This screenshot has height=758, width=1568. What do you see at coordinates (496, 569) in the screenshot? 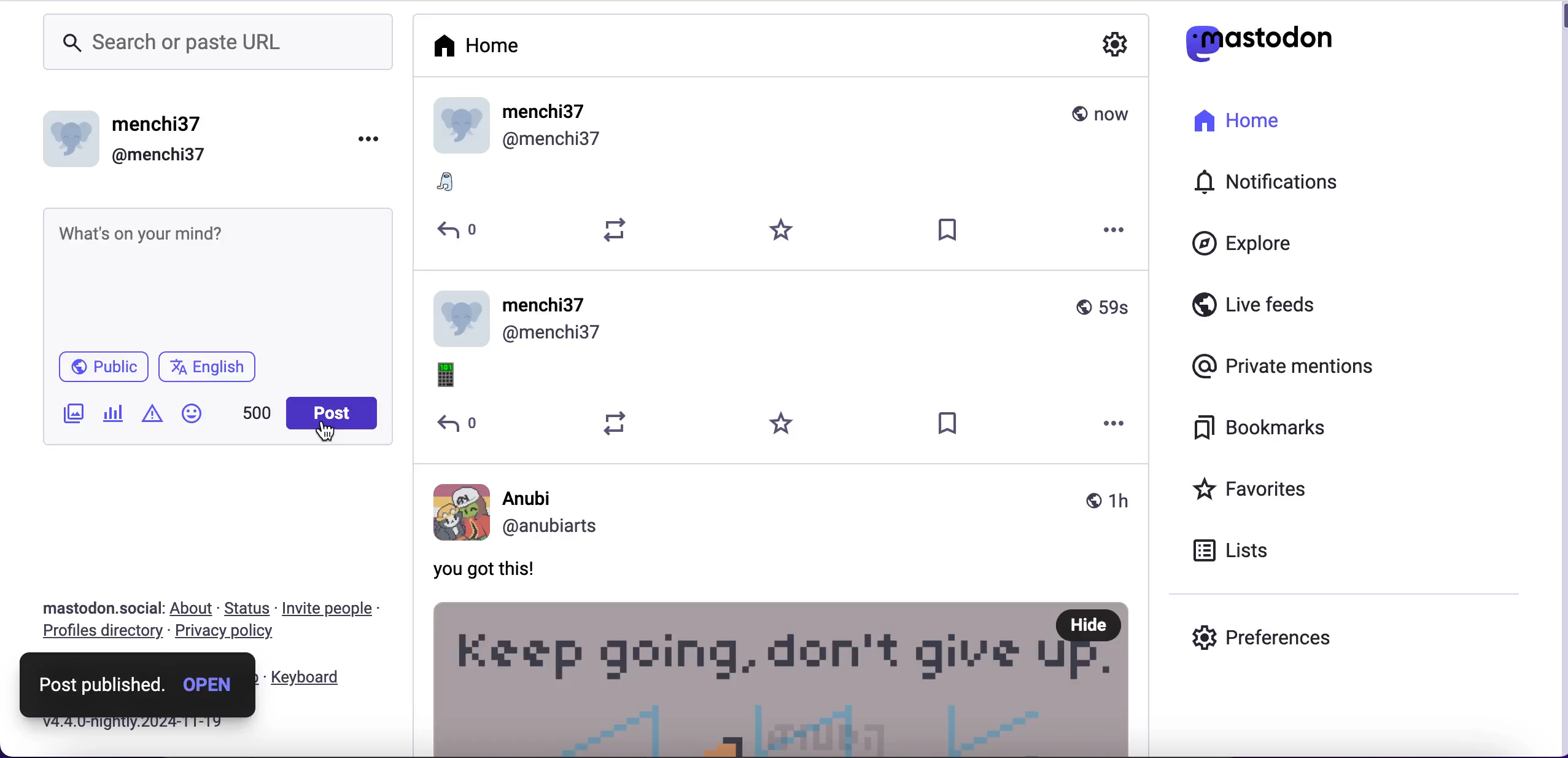
I see `You got this!` at bounding box center [496, 569].